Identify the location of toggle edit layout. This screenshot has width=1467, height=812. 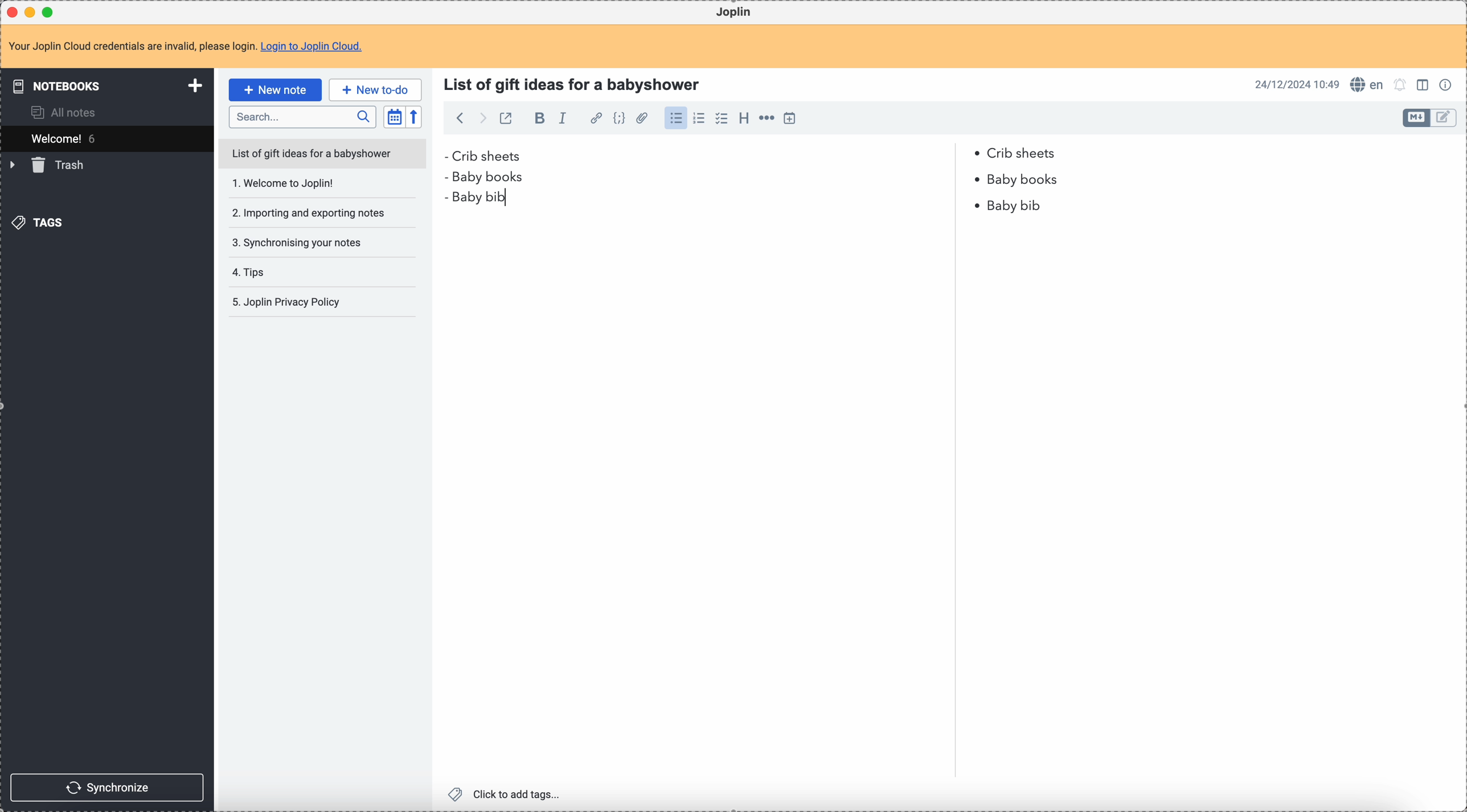
(1425, 87).